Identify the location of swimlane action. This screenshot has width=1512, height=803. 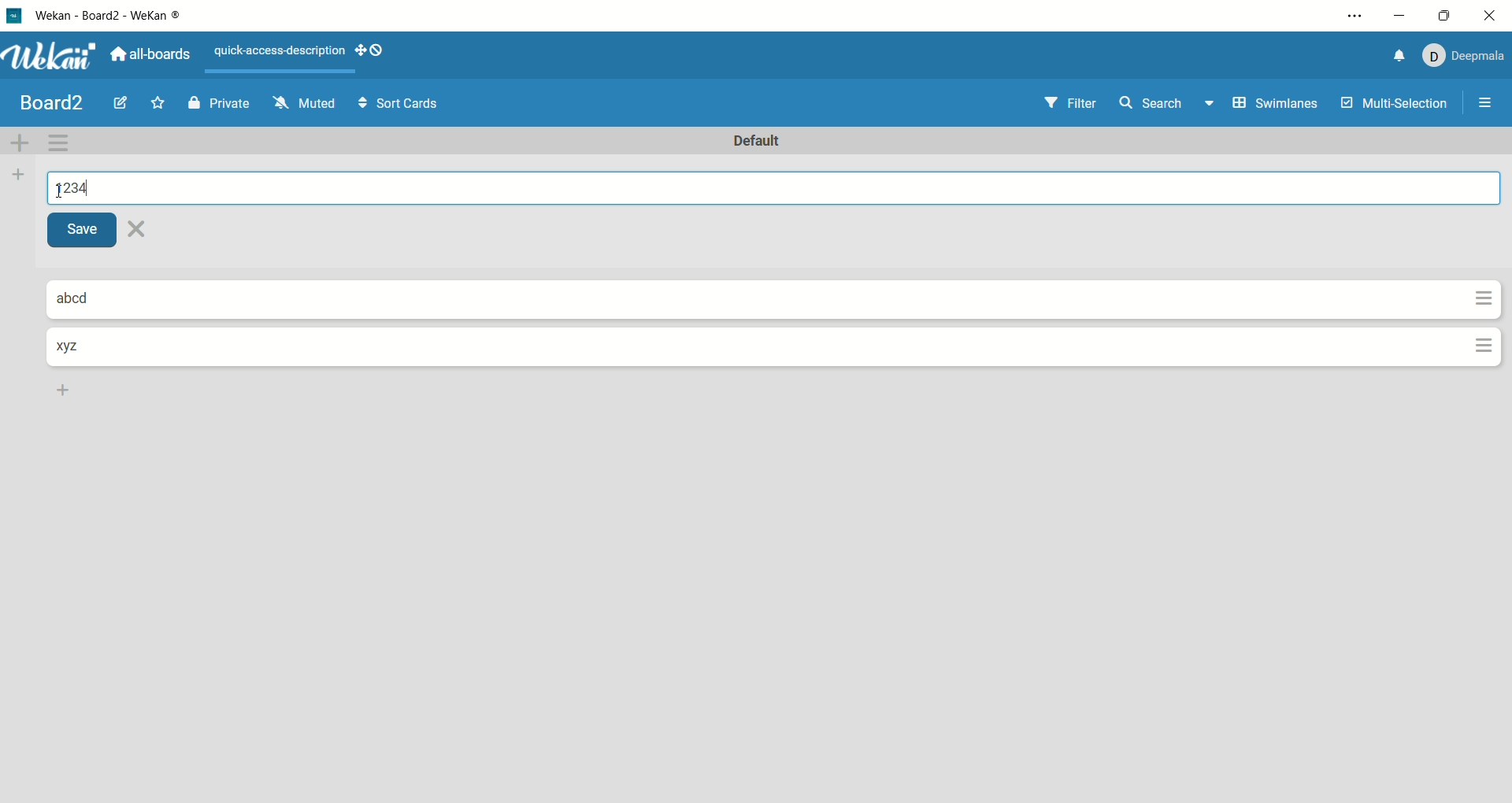
(63, 142).